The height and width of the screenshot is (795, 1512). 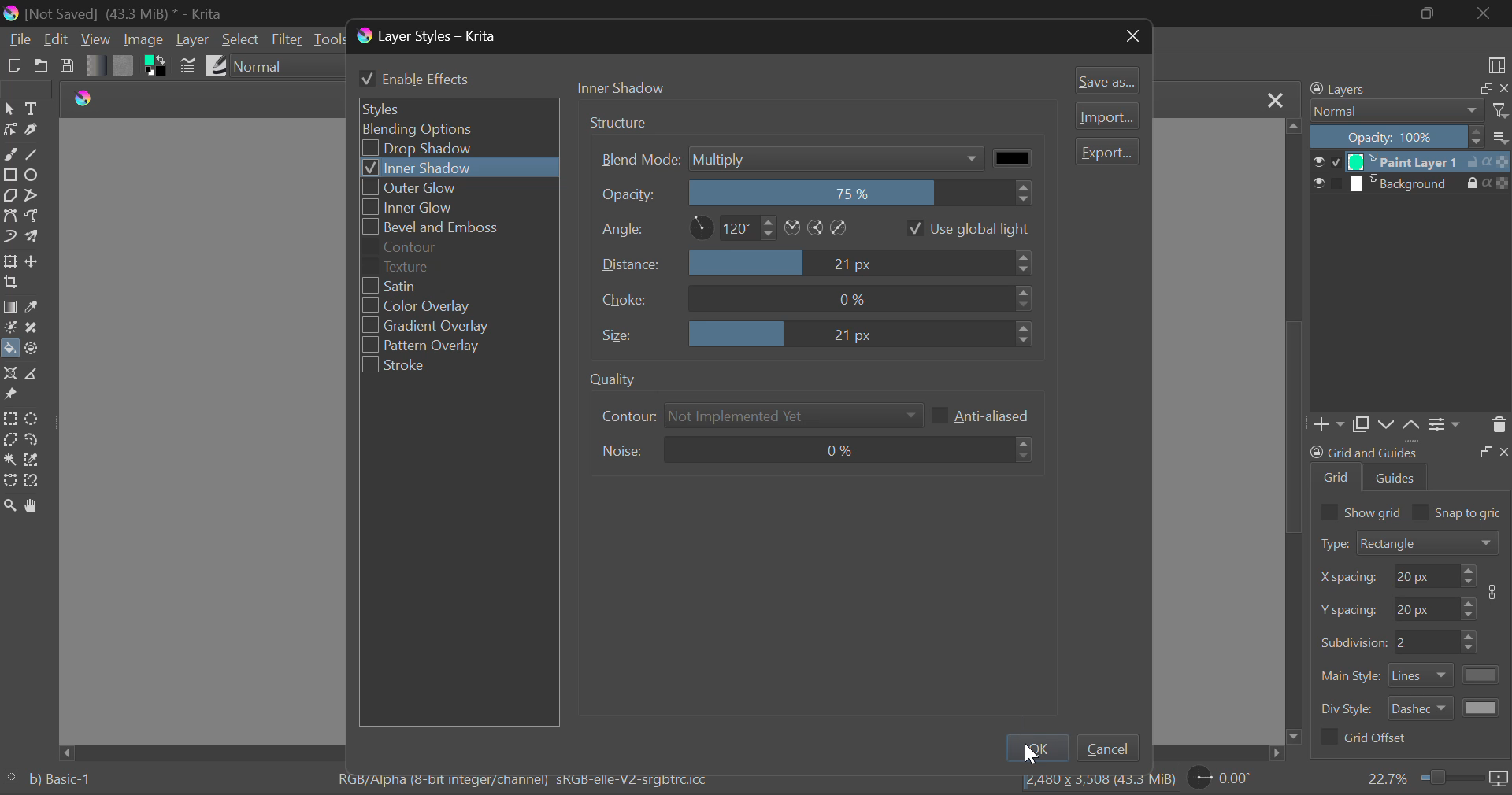 I want to click on File, so click(x=19, y=42).